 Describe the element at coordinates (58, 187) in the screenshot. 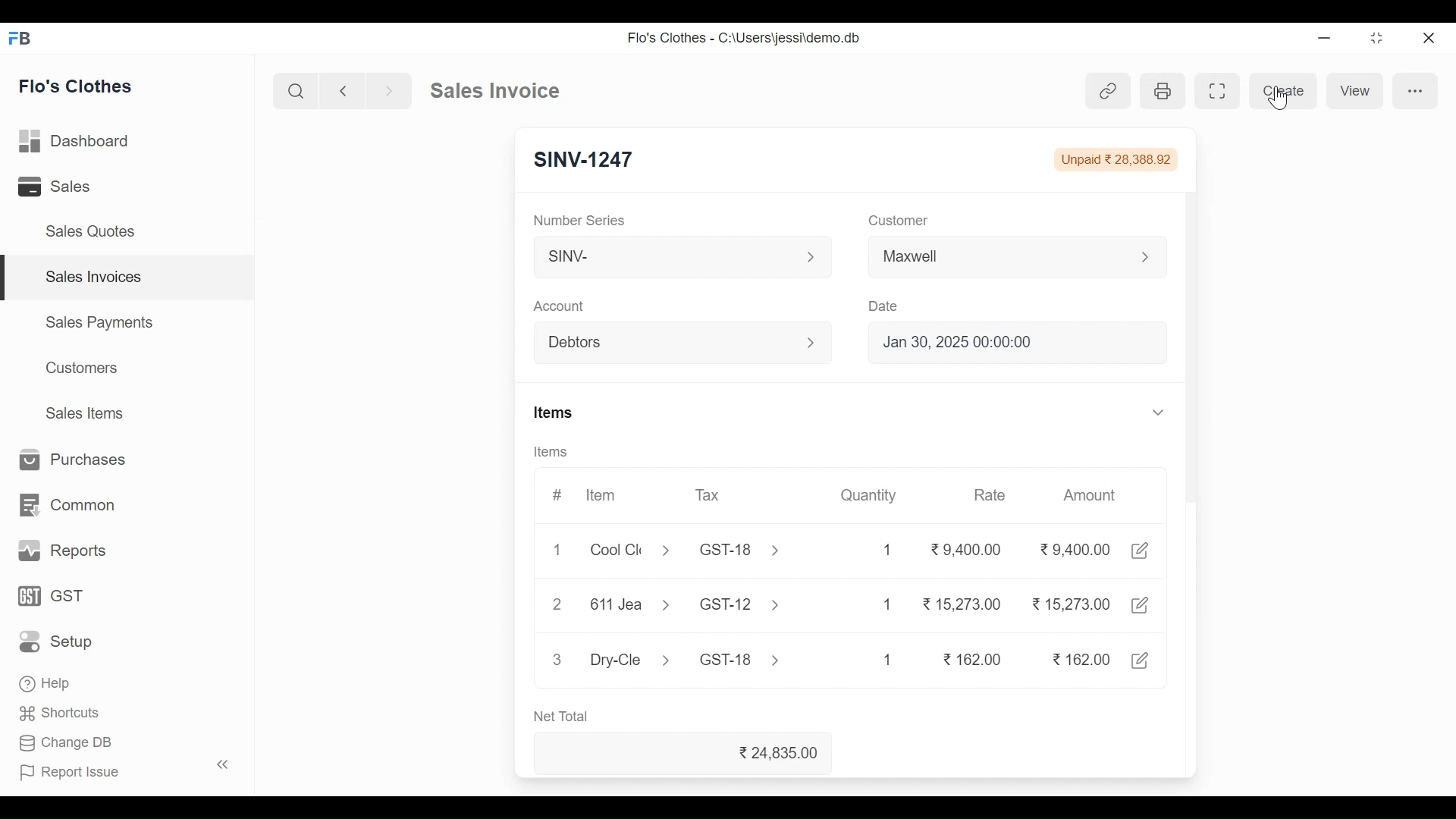

I see `Sales` at that location.